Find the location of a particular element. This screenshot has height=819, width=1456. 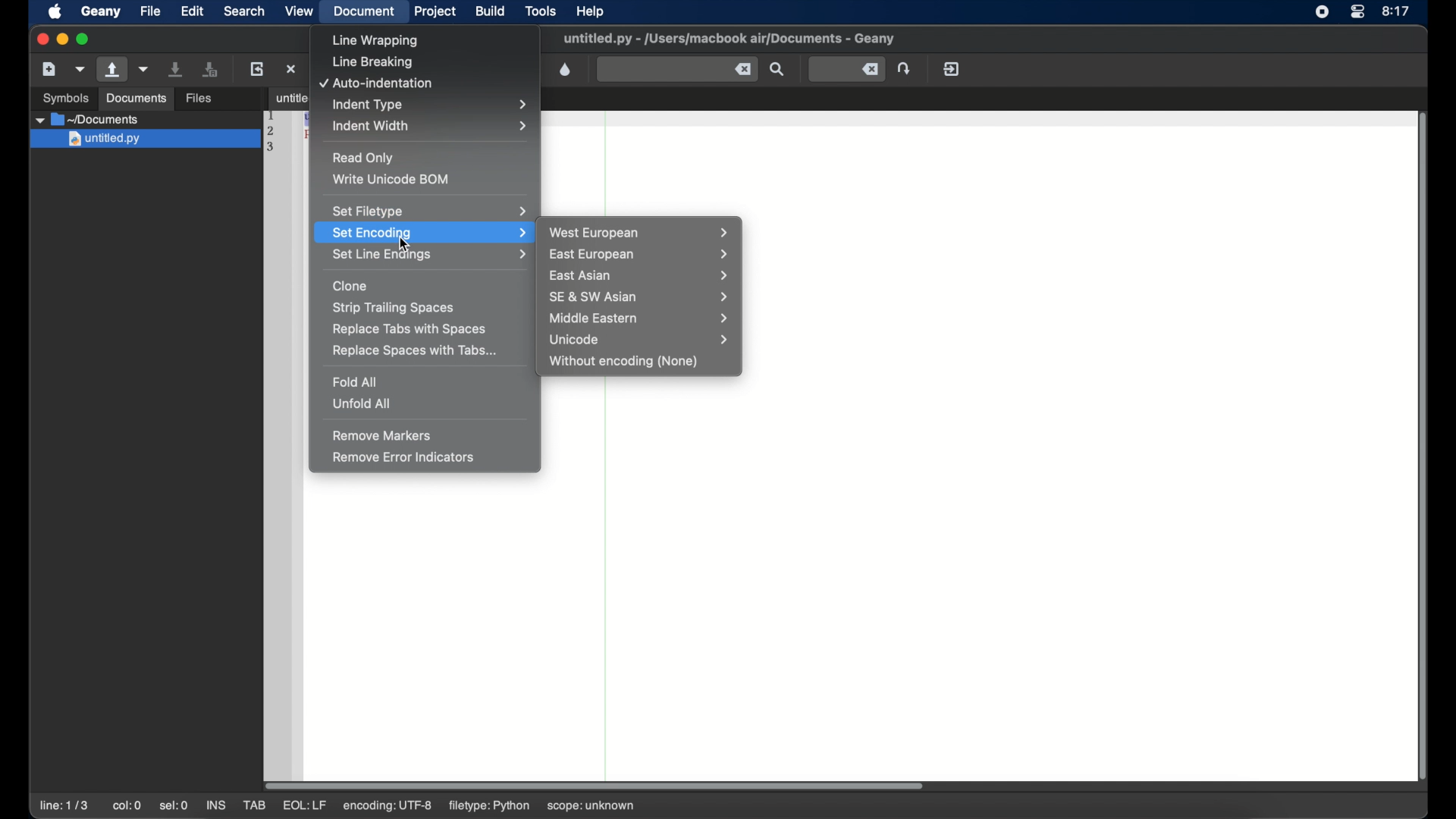

close is located at coordinates (41, 38).